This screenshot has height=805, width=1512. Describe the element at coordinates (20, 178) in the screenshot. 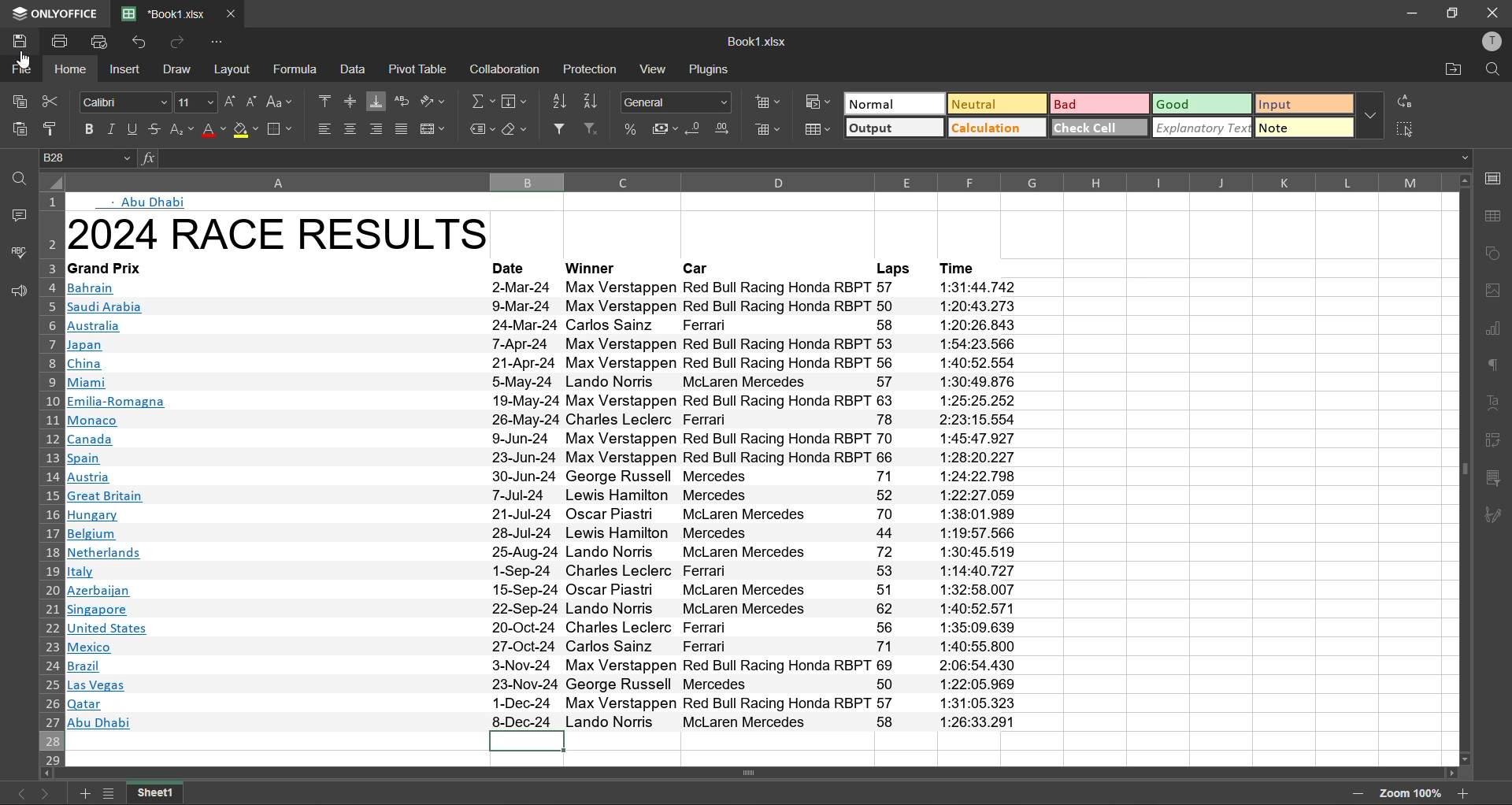

I see `find` at that location.